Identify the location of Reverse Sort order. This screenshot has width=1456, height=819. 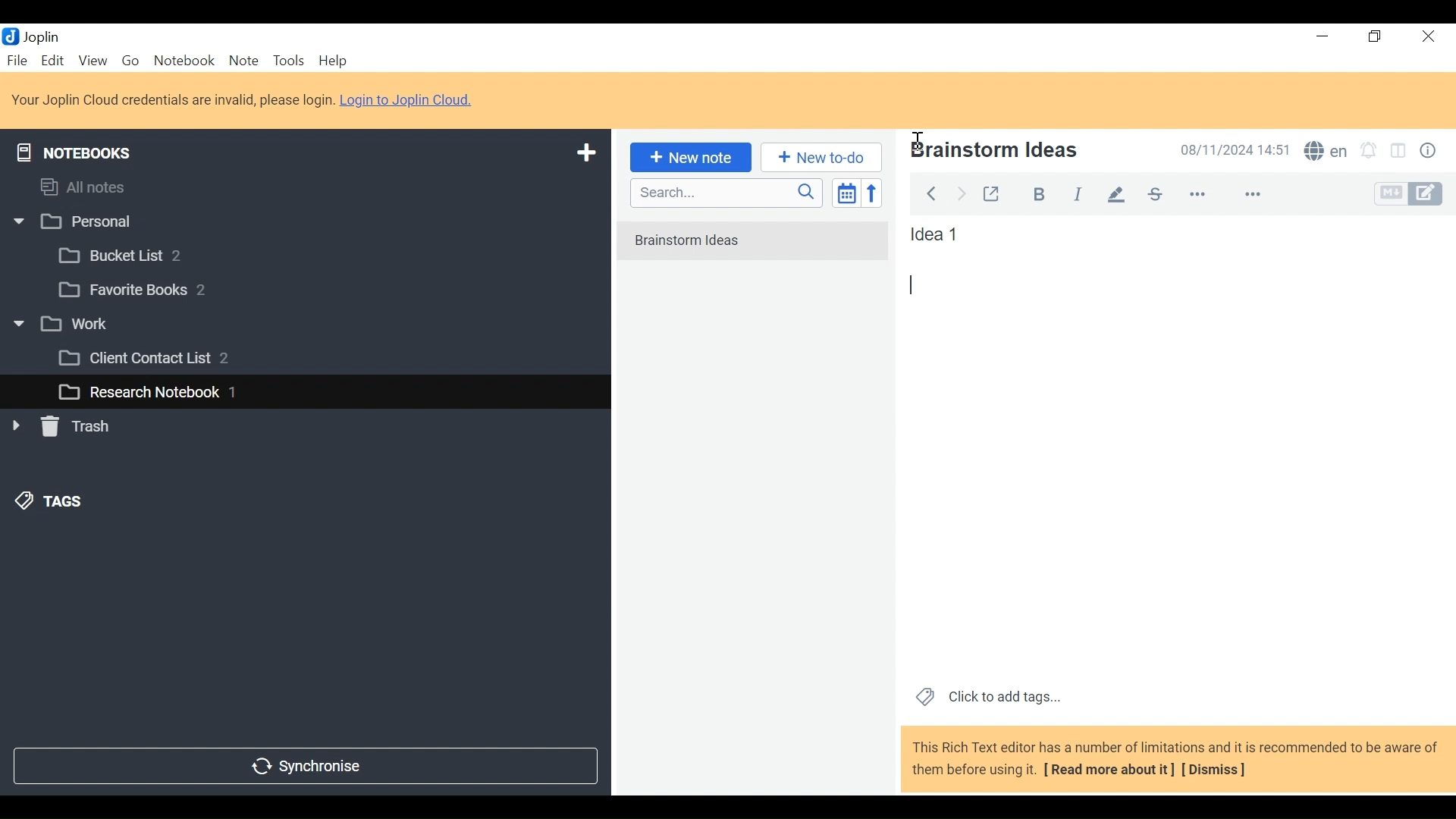
(875, 193).